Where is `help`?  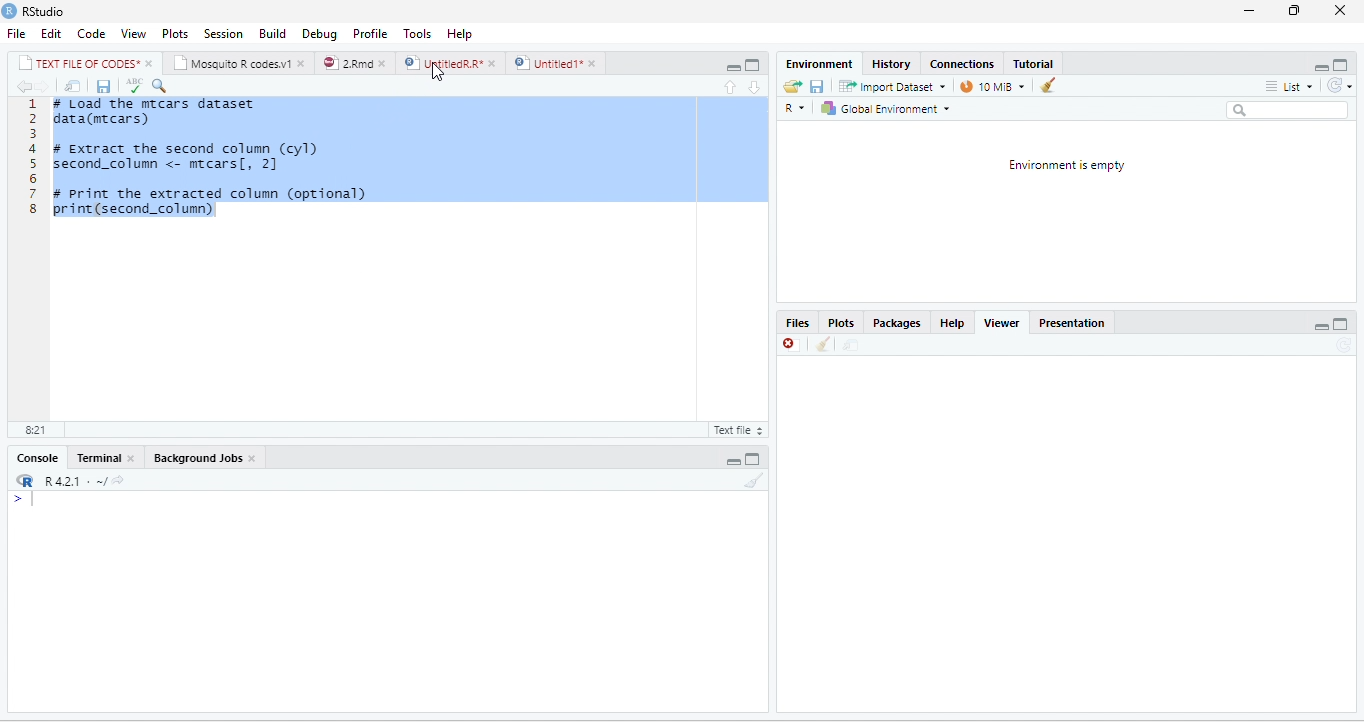
help is located at coordinates (952, 324).